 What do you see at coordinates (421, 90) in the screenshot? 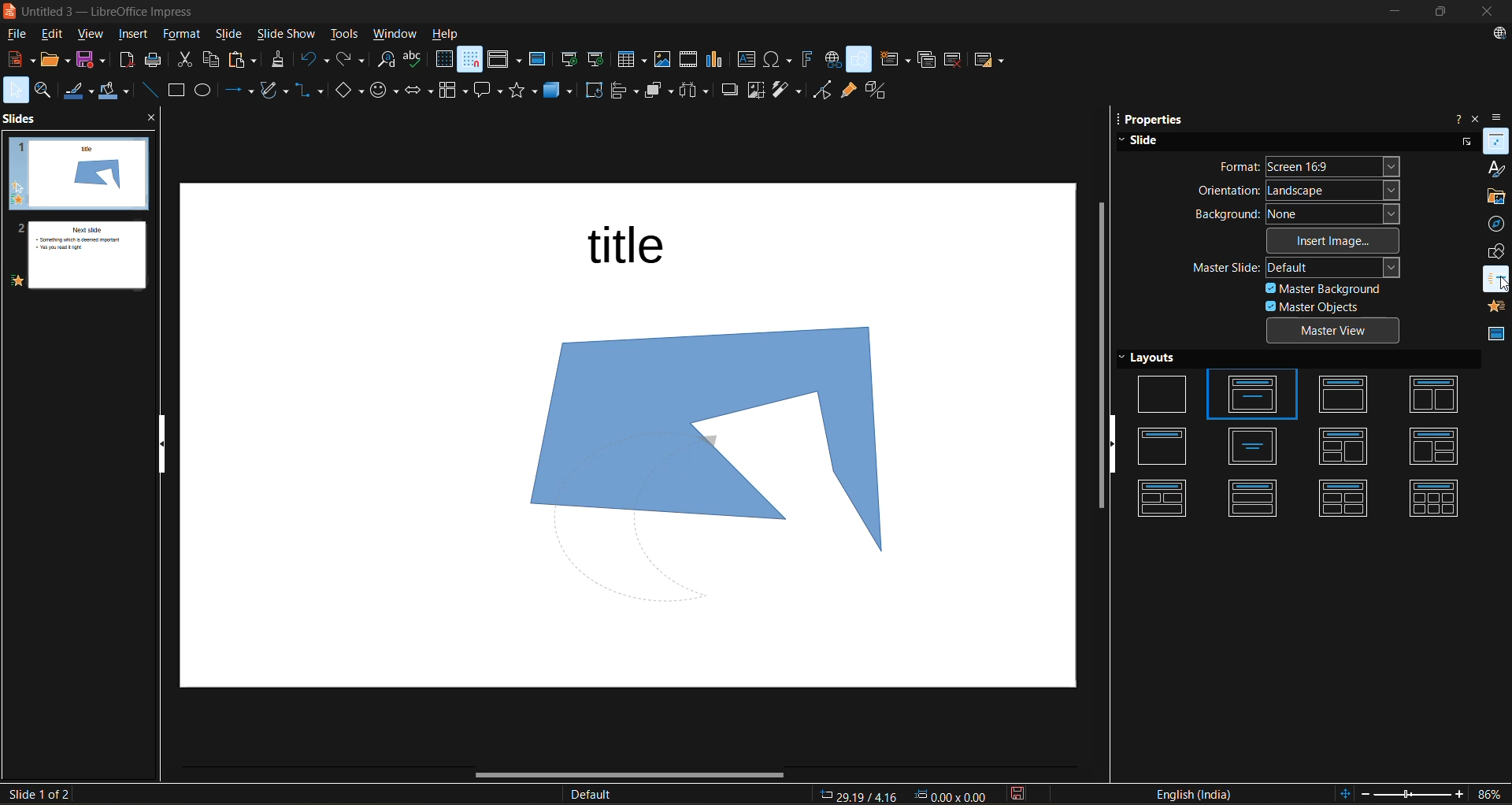
I see `block arrows` at bounding box center [421, 90].